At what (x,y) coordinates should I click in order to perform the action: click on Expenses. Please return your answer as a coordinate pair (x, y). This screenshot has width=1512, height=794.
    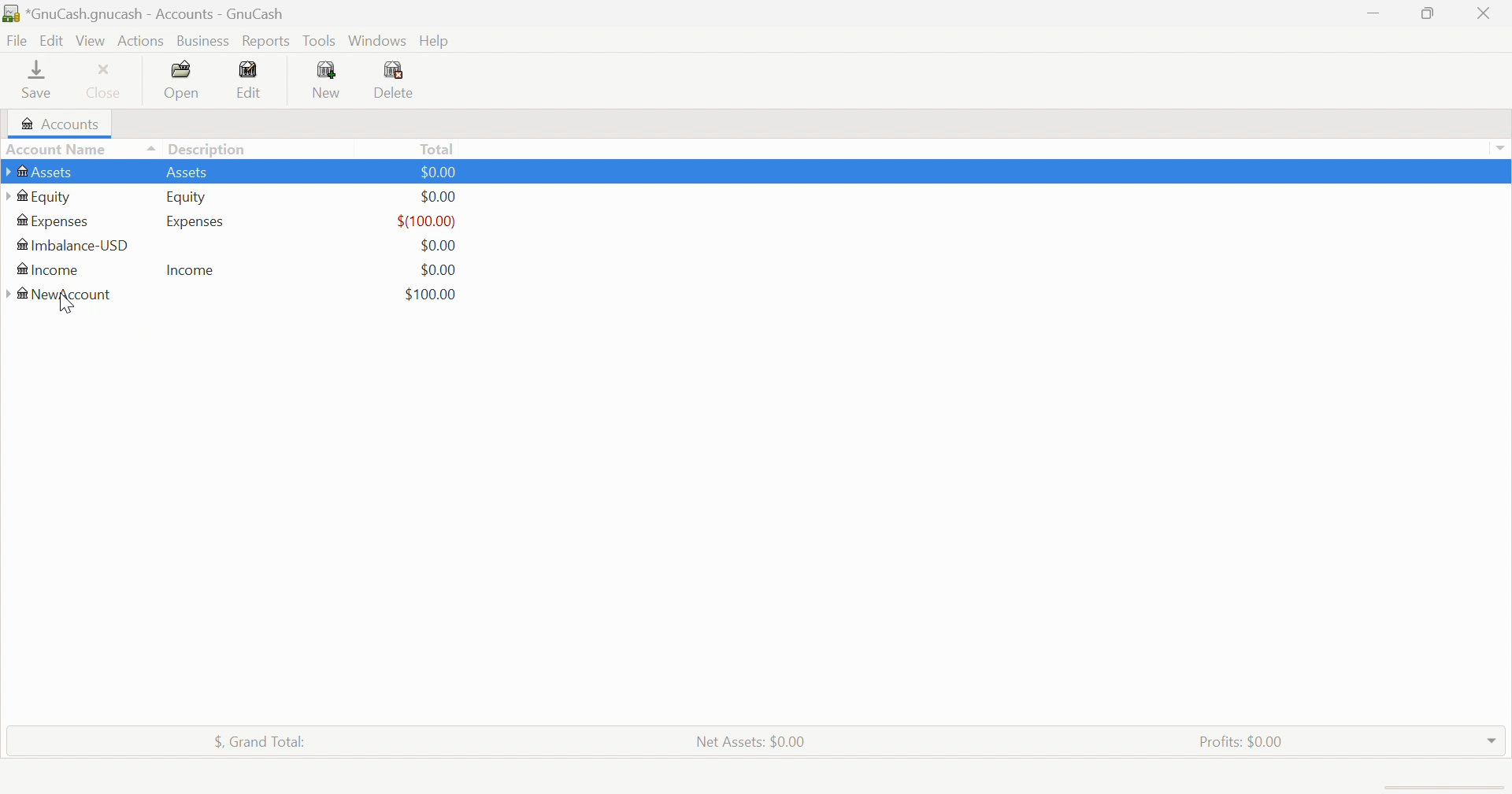
    Looking at the image, I should click on (54, 221).